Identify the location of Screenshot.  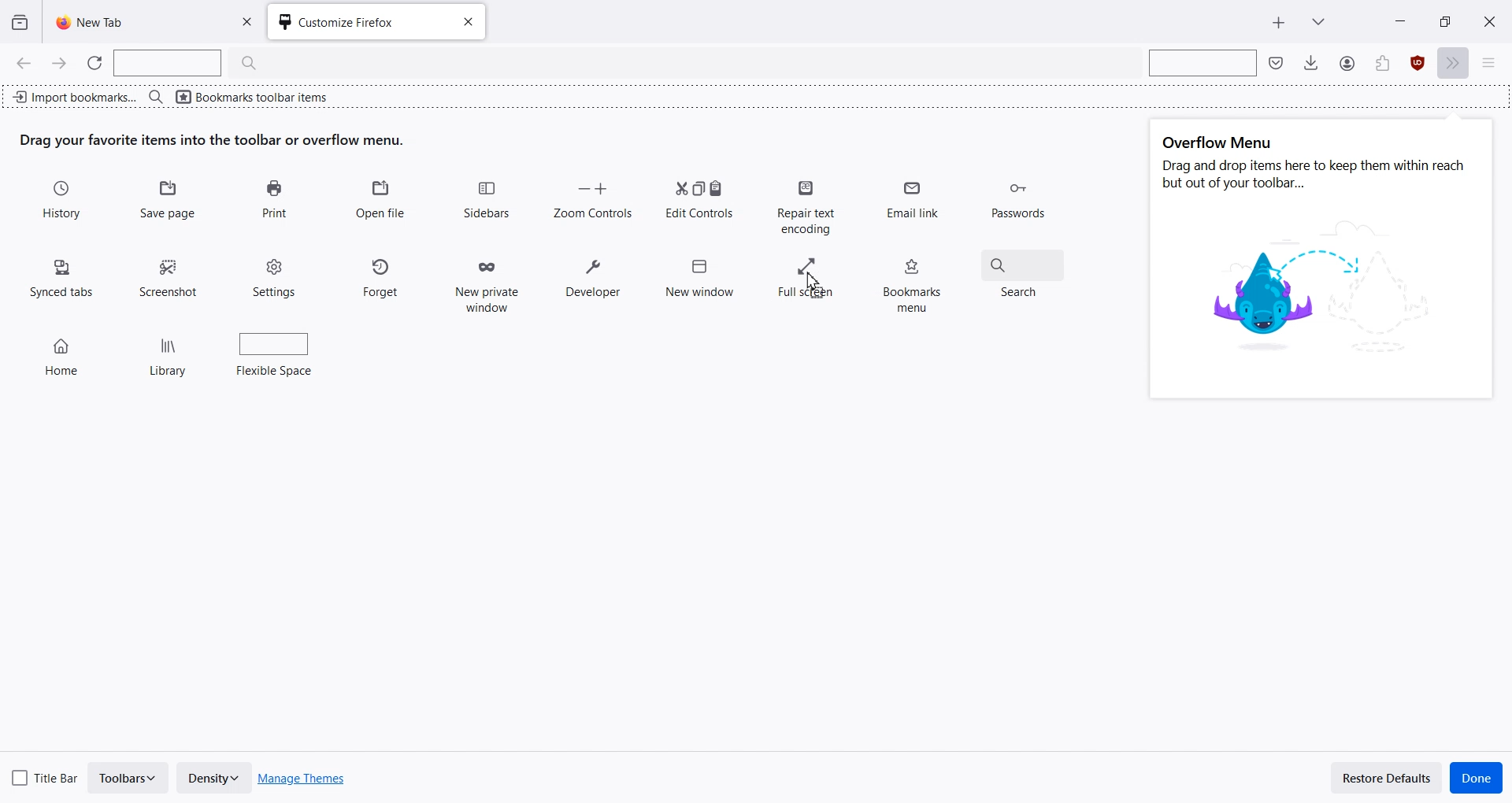
(171, 273).